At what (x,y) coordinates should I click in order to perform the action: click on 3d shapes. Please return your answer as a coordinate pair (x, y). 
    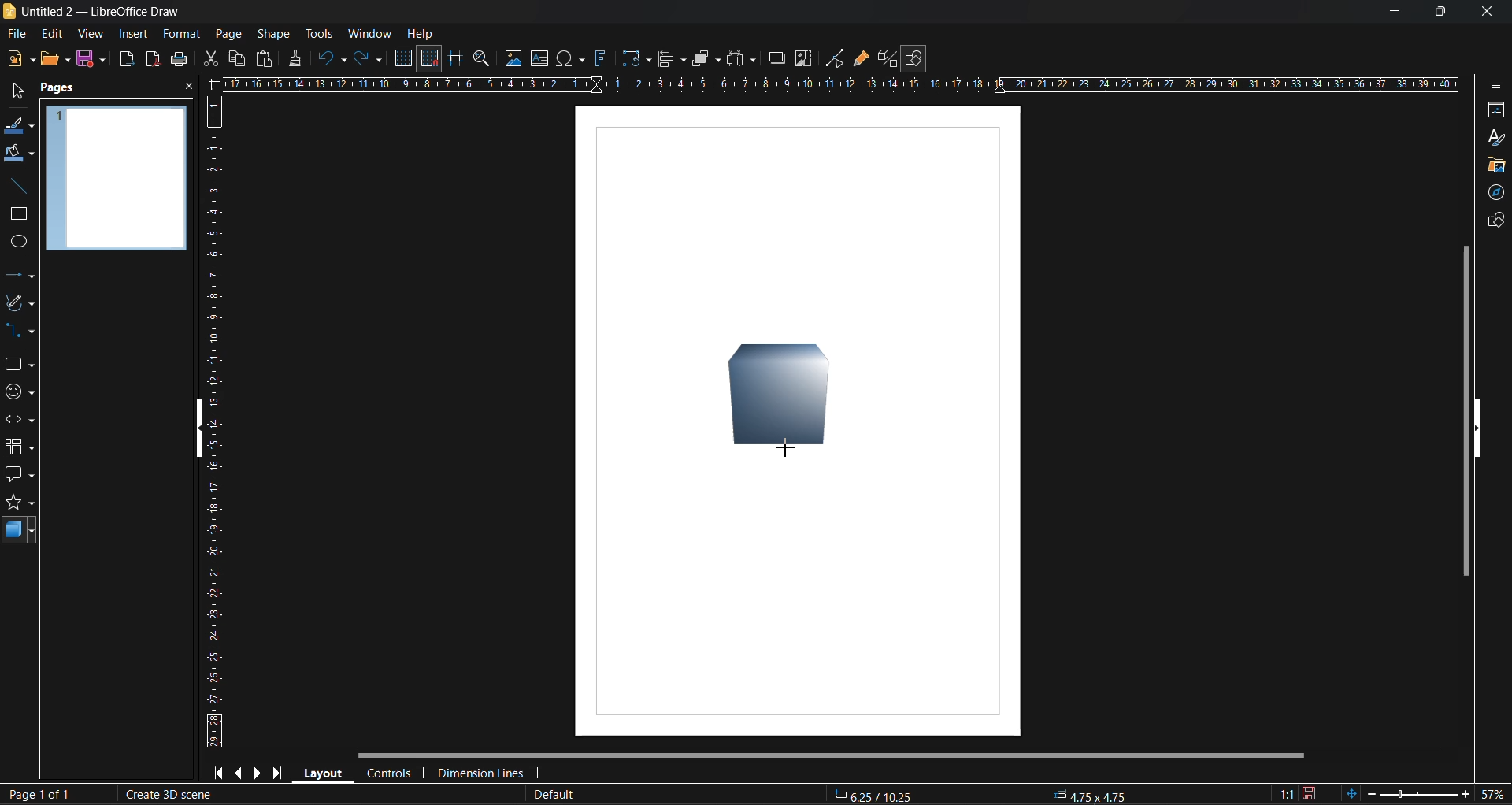
    Looking at the image, I should click on (20, 532).